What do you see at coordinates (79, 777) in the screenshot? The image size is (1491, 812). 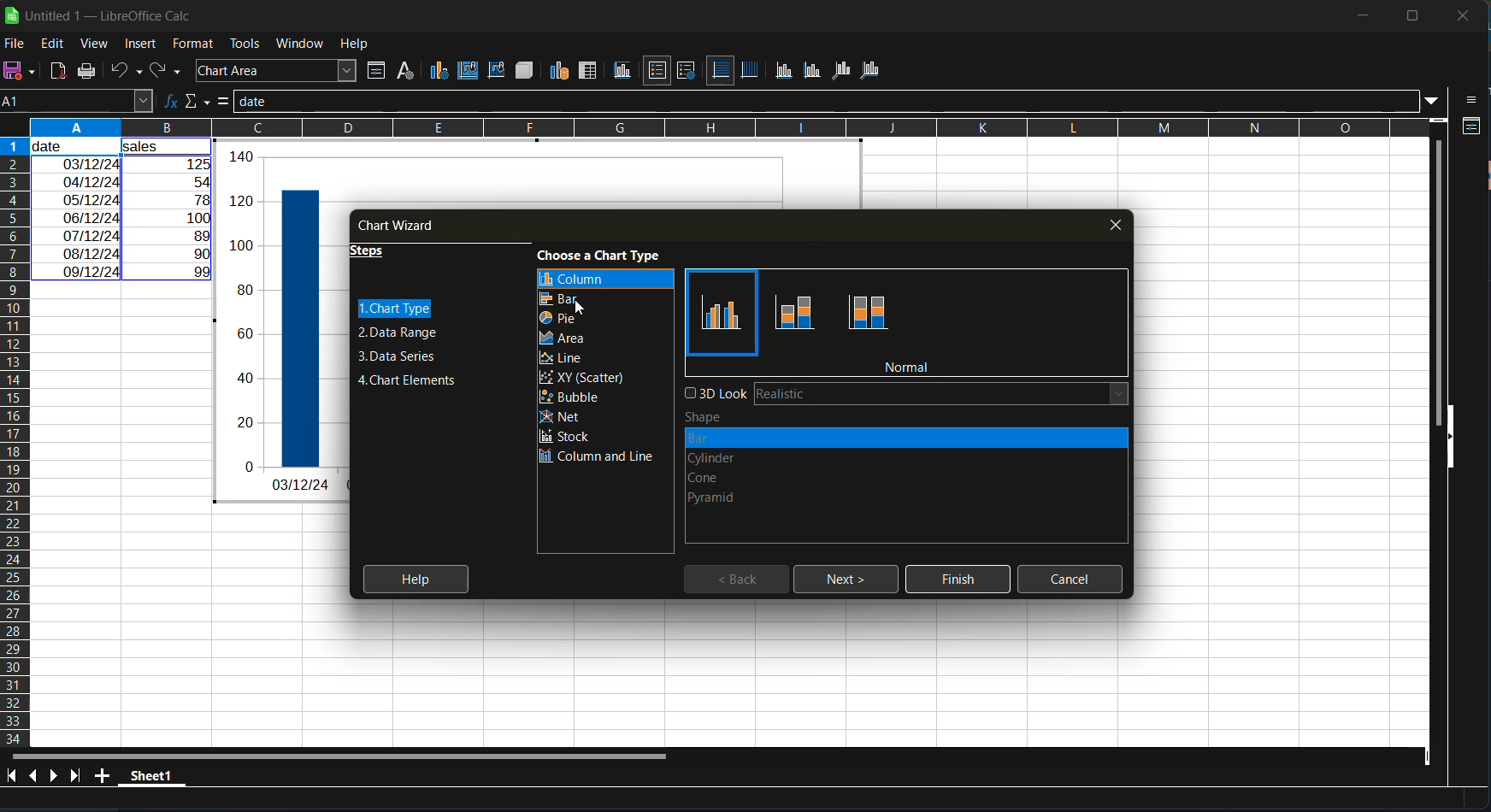 I see `scroll to last sheet` at bounding box center [79, 777].